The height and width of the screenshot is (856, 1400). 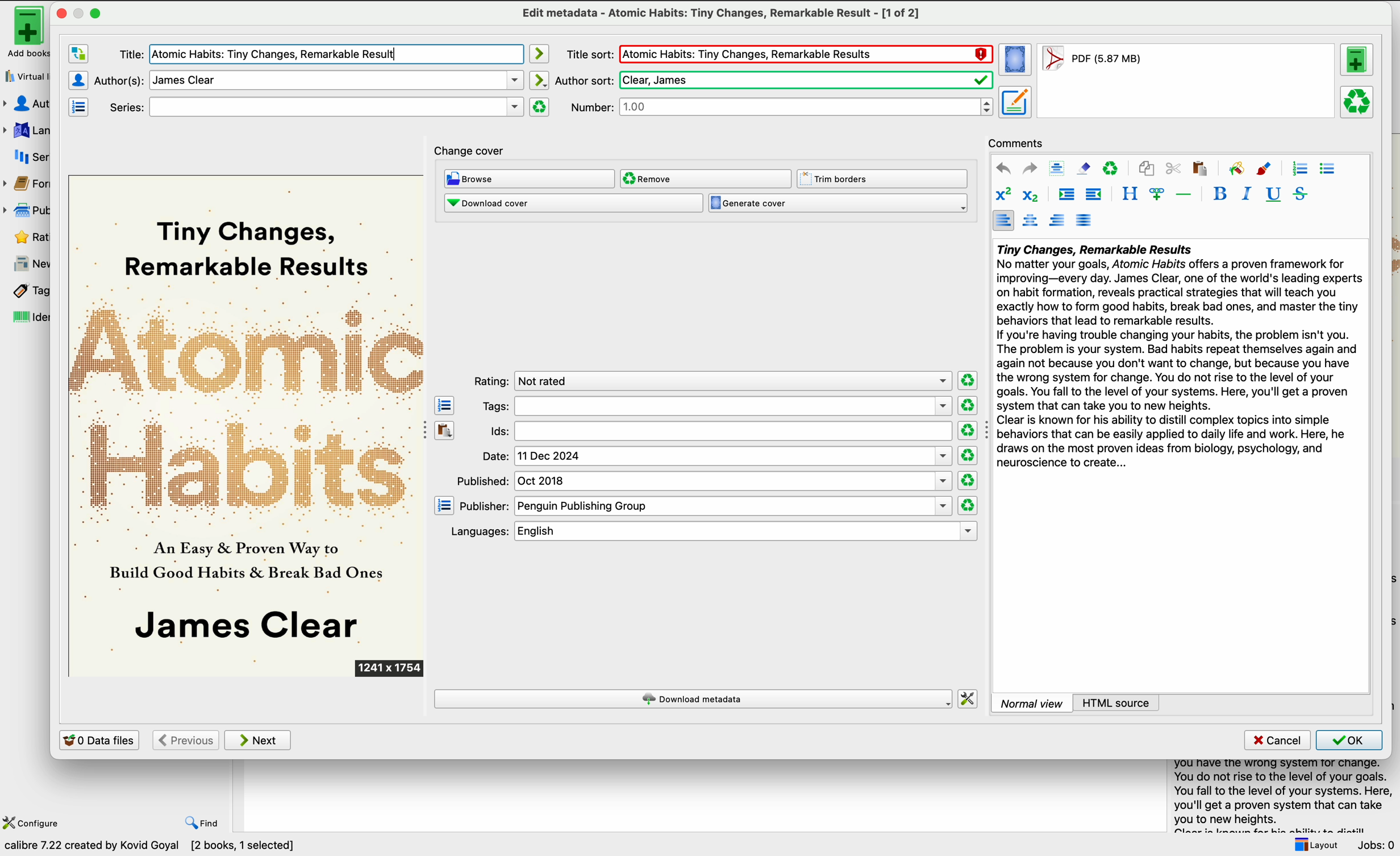 What do you see at coordinates (34, 822) in the screenshot?
I see `configure` at bounding box center [34, 822].